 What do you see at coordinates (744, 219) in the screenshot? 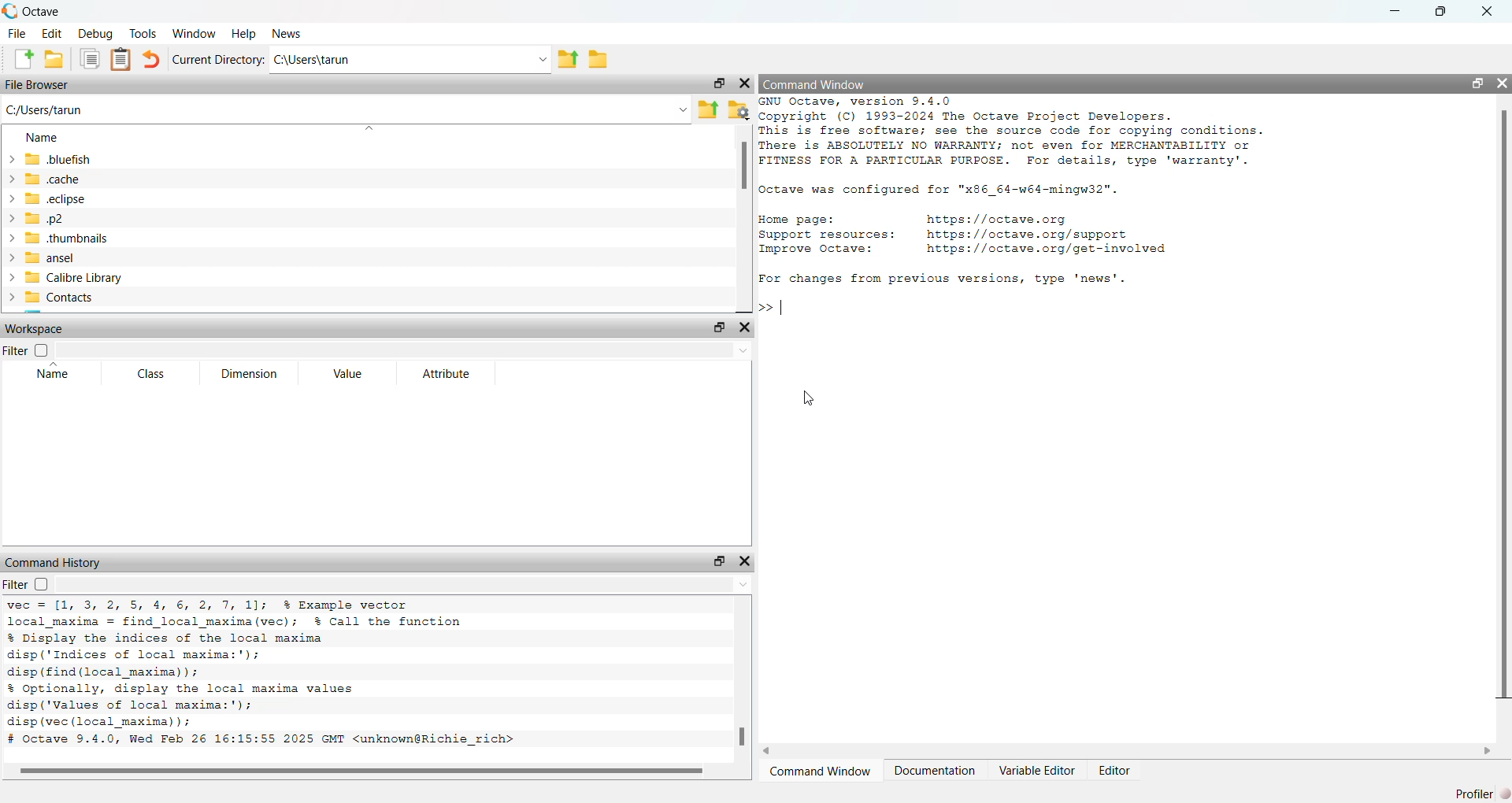
I see `vertical scroll bar` at bounding box center [744, 219].